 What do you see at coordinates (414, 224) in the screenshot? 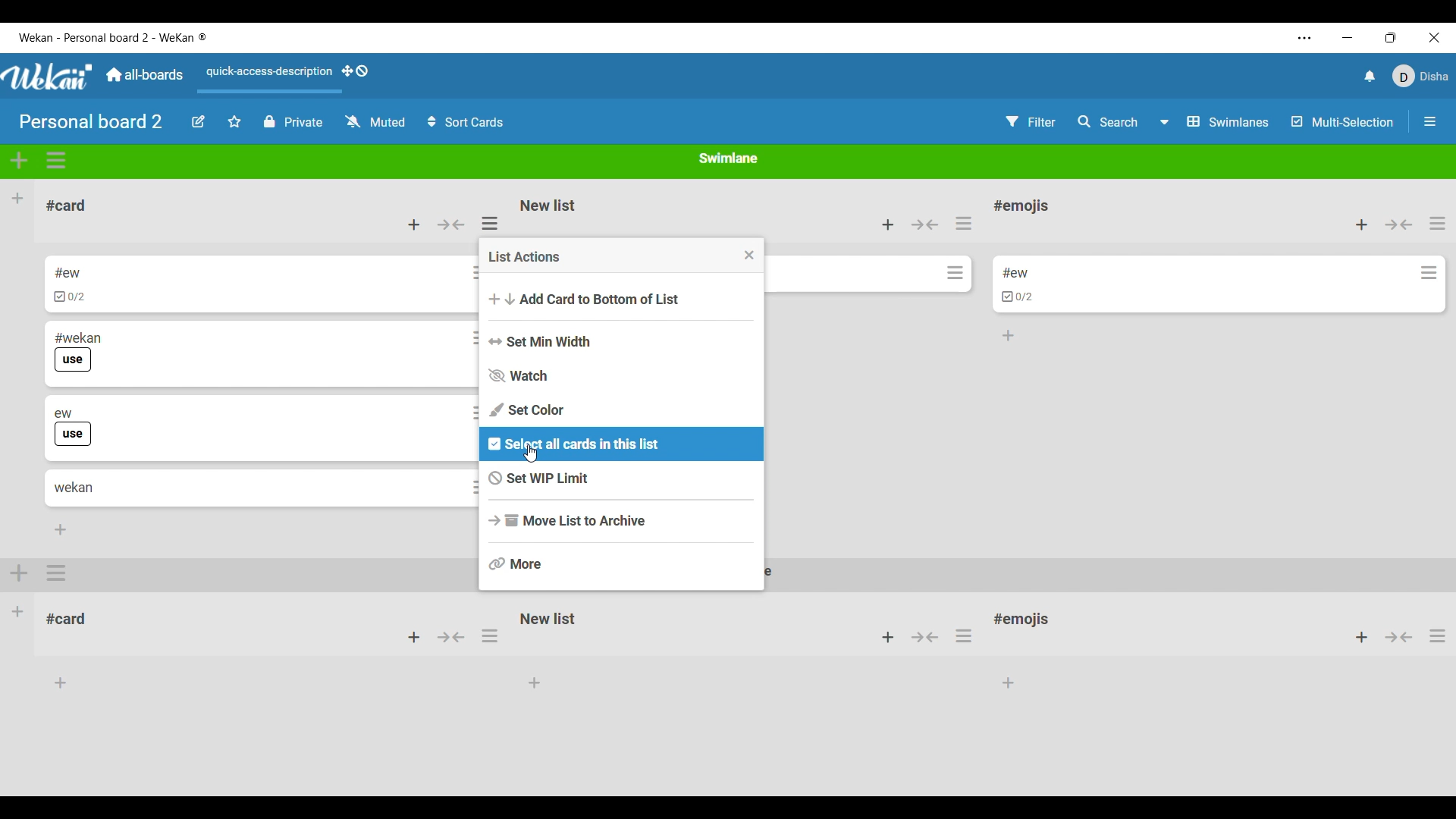
I see `Add card to top of list` at bounding box center [414, 224].